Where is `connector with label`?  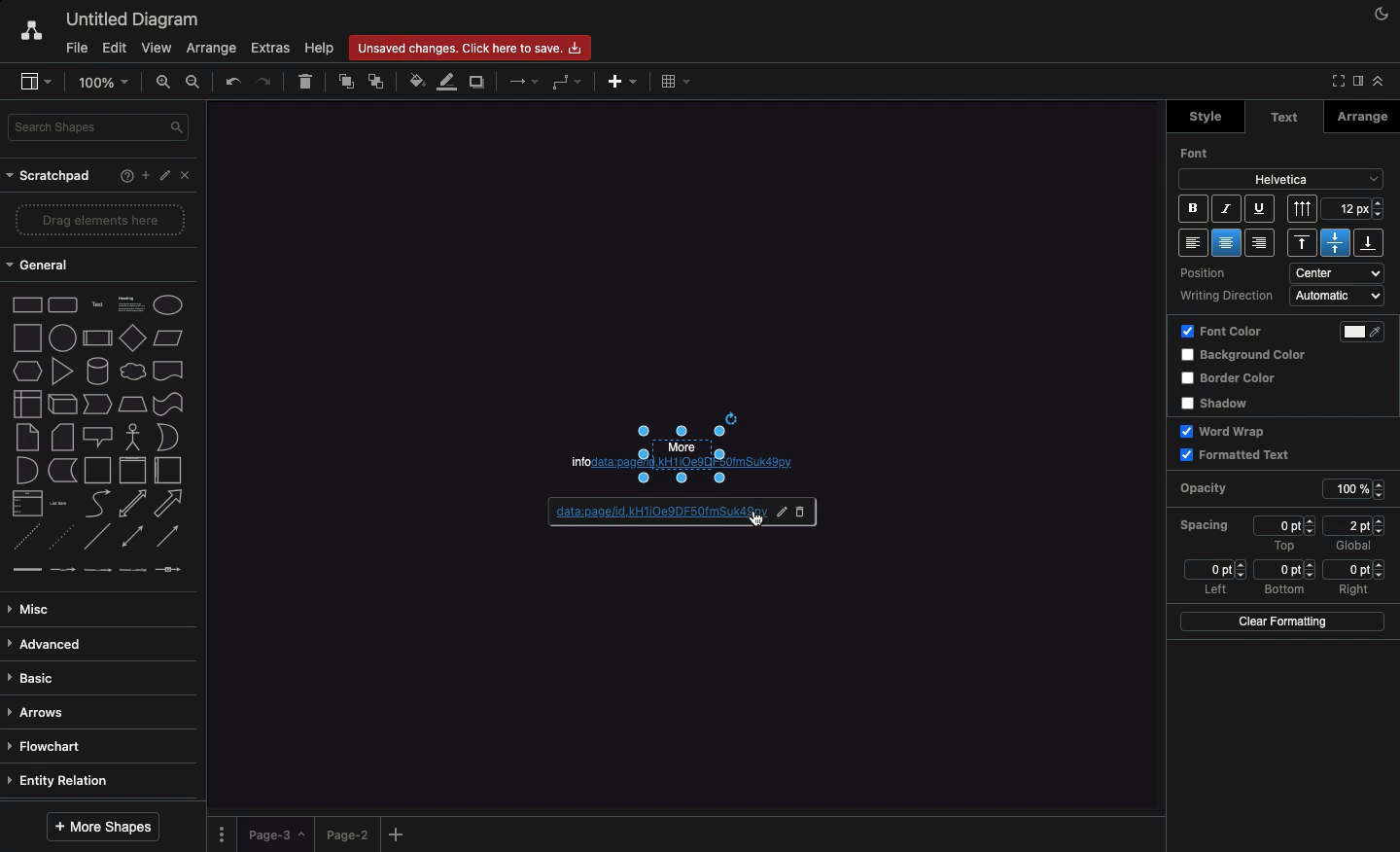 connector with label is located at coordinates (62, 571).